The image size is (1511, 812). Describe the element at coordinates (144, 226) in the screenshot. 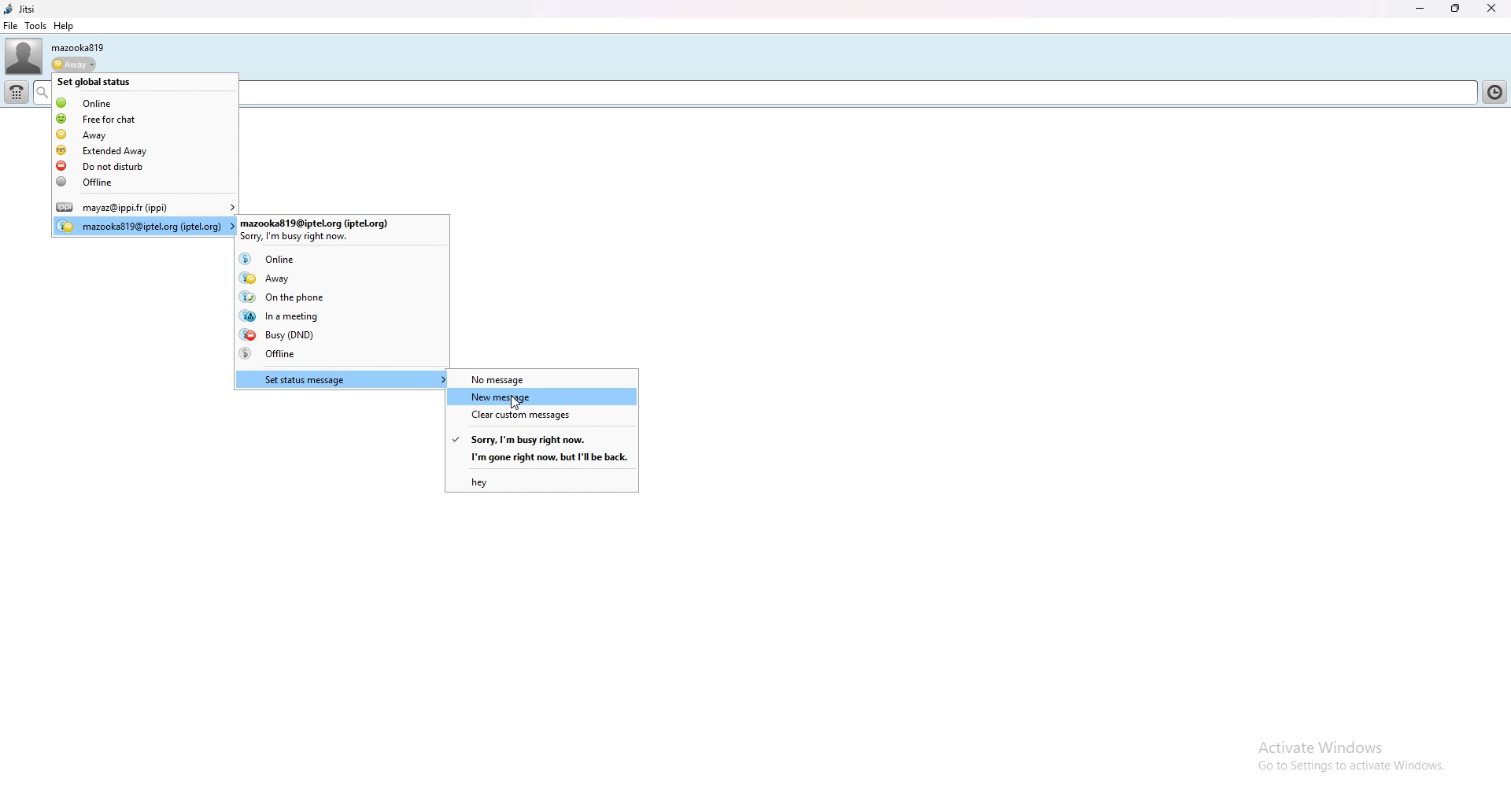

I see `user account` at that location.